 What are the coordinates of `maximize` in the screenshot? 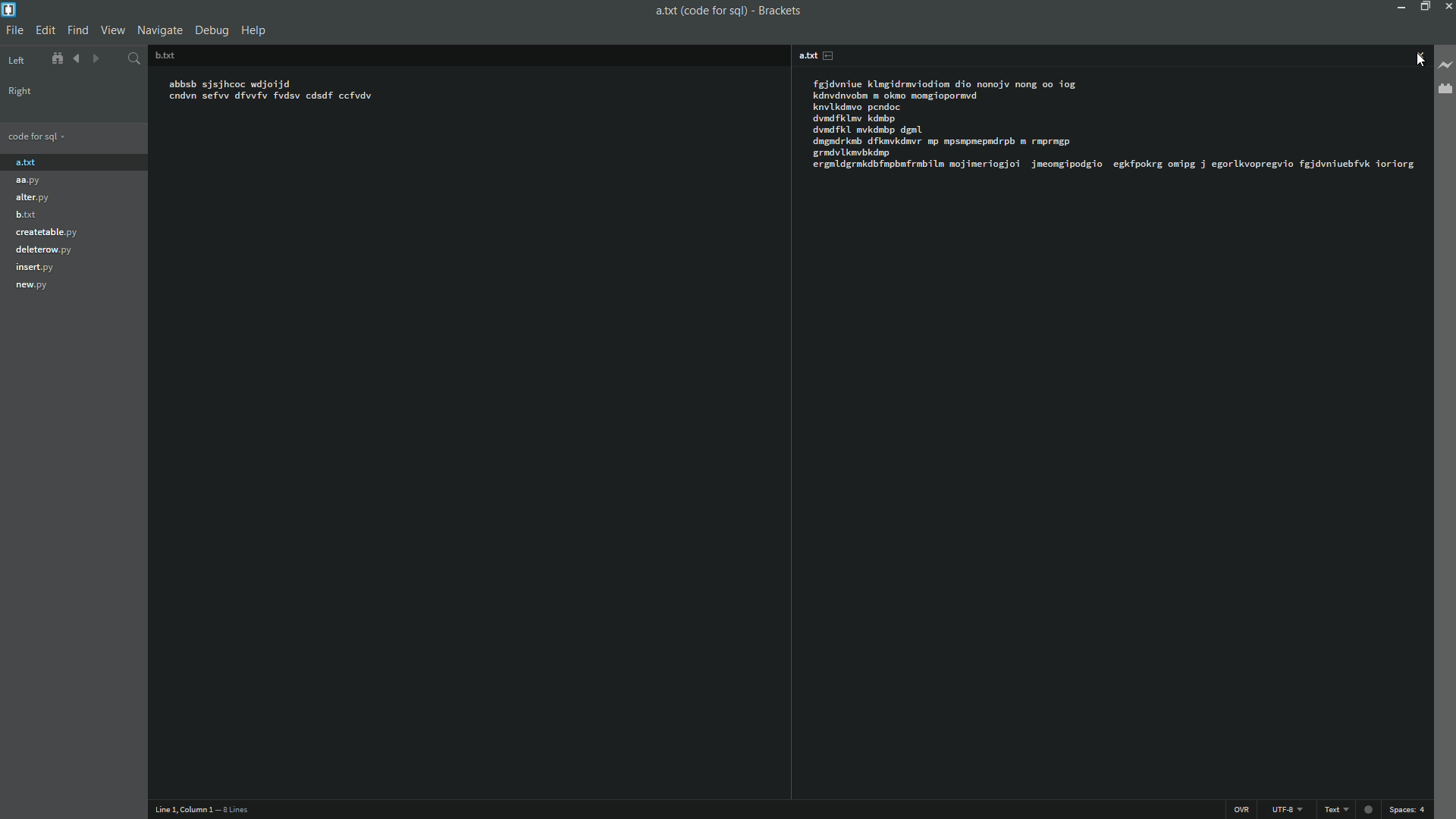 It's located at (1423, 7).